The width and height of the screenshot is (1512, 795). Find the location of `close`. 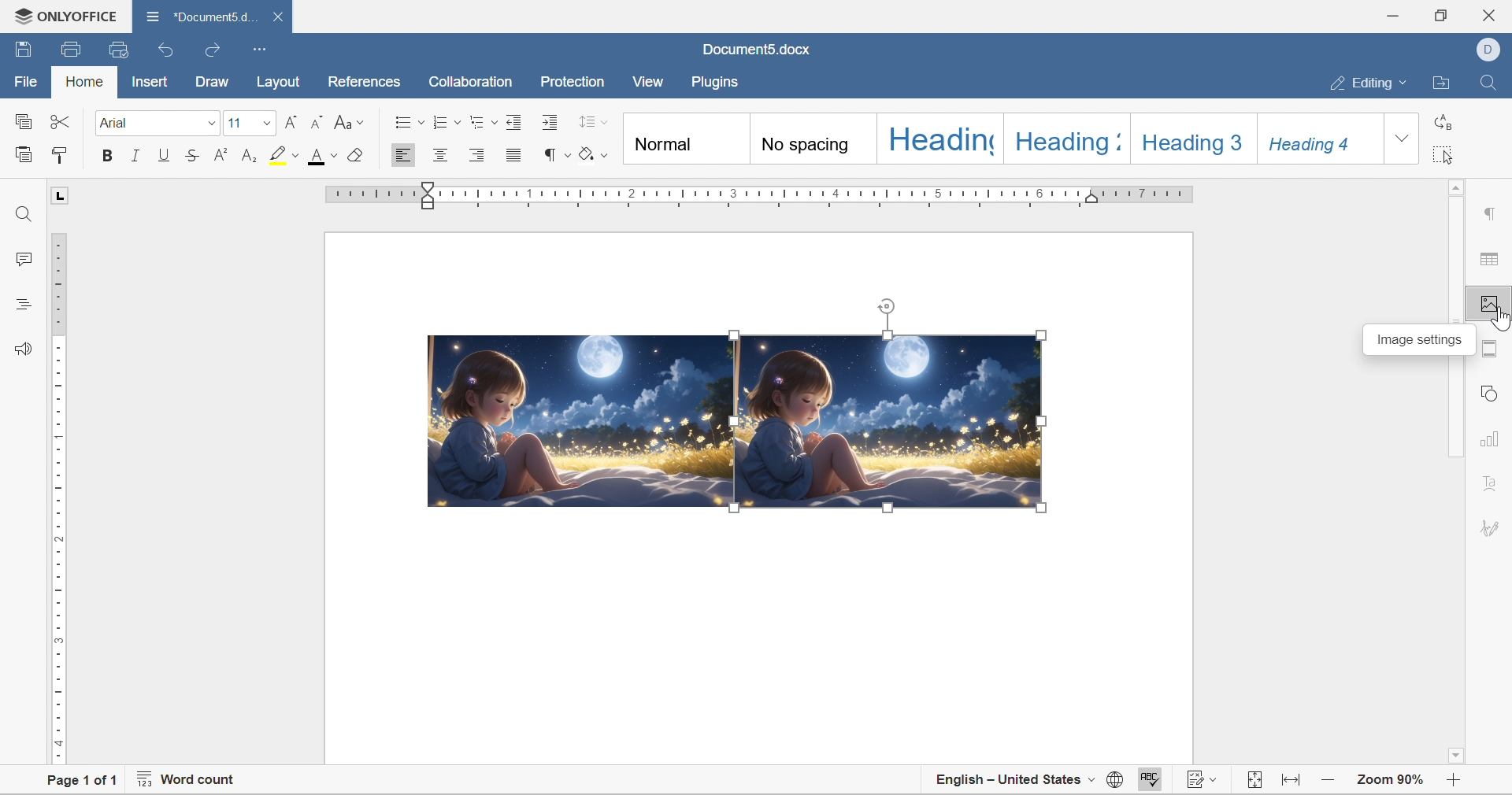

close is located at coordinates (1494, 13).